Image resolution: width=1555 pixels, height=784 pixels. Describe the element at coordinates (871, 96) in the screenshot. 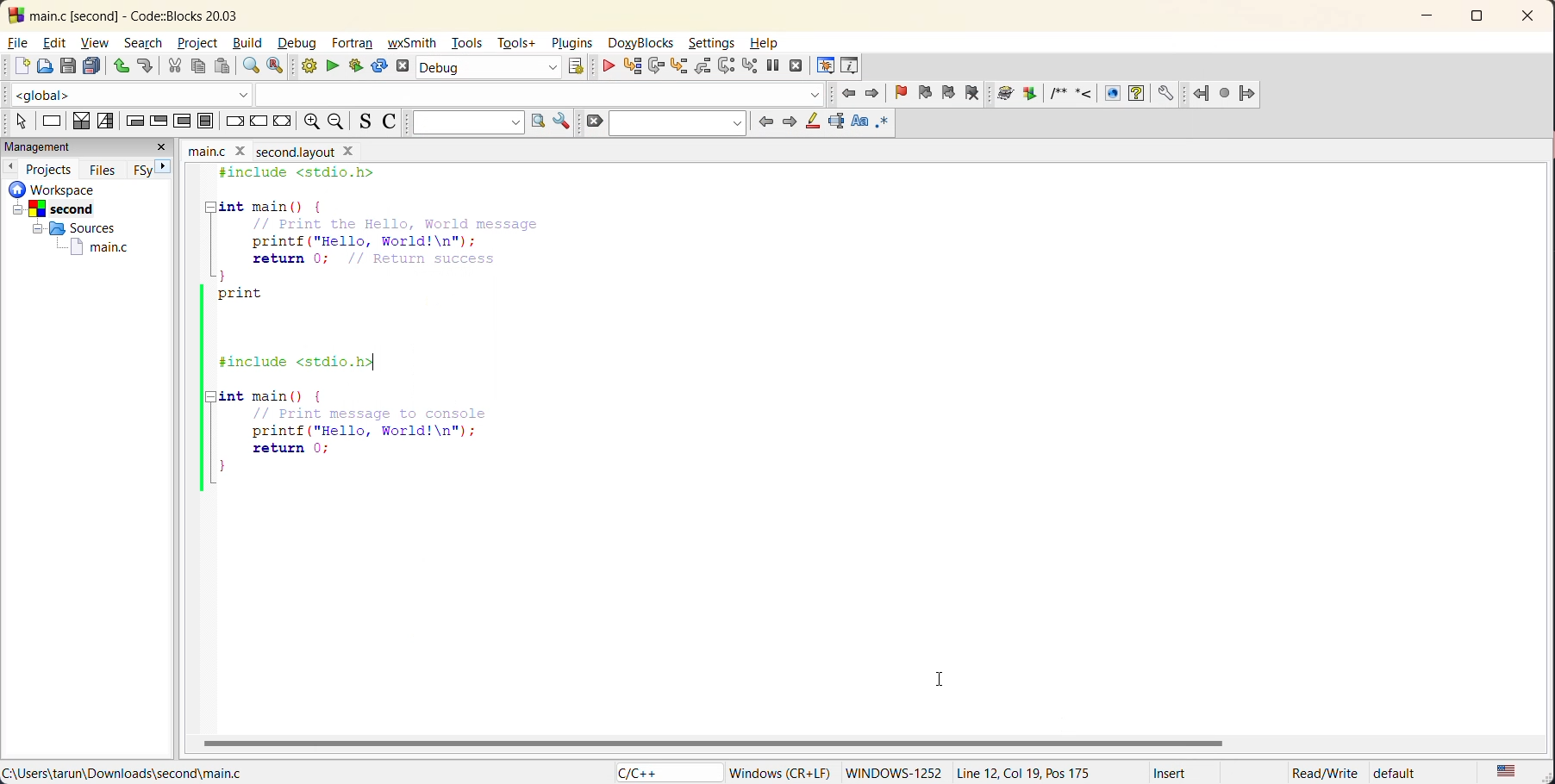

I see `jump forward` at that location.